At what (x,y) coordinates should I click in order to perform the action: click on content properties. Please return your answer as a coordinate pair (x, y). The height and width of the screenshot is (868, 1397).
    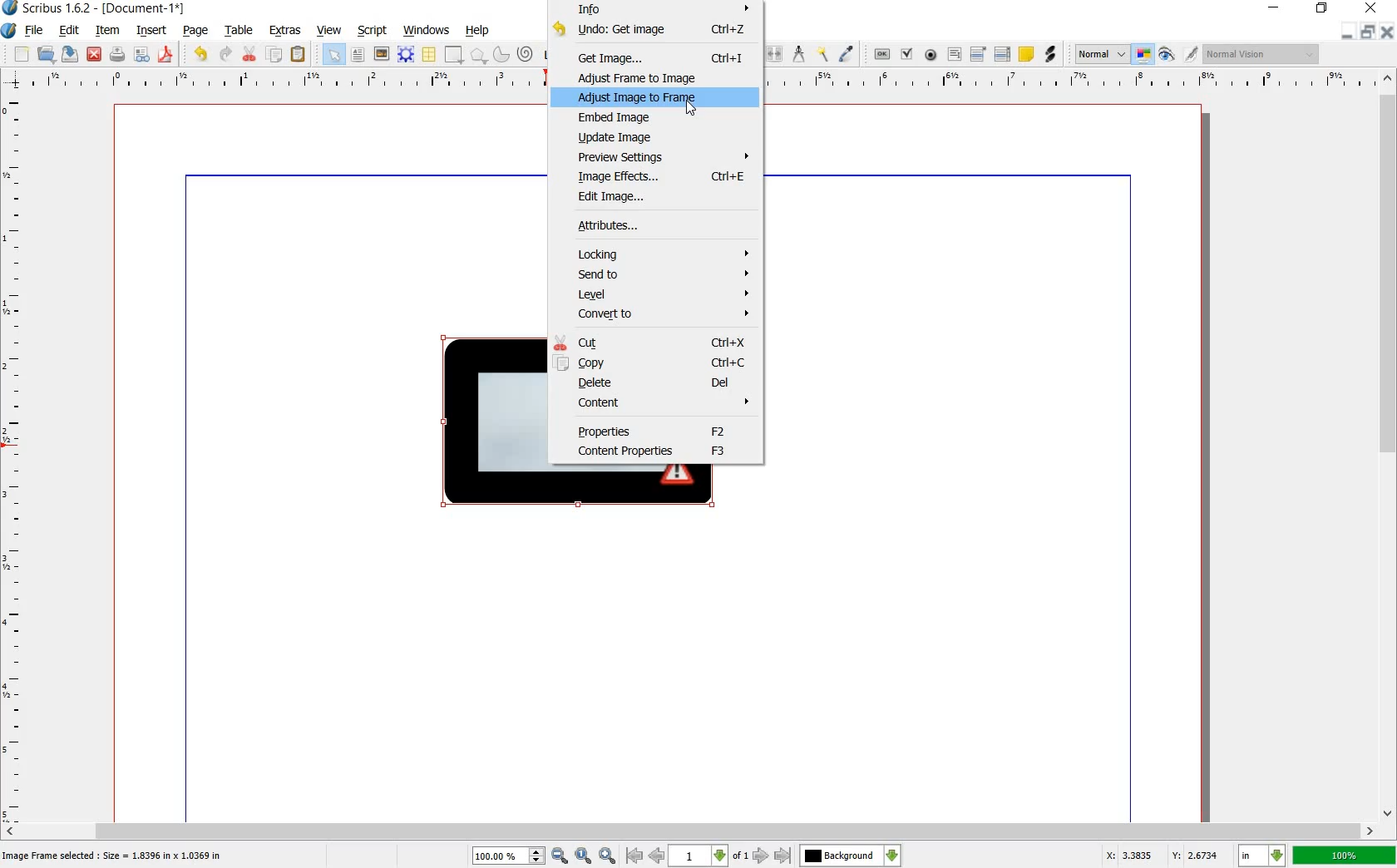
    Looking at the image, I should click on (659, 452).